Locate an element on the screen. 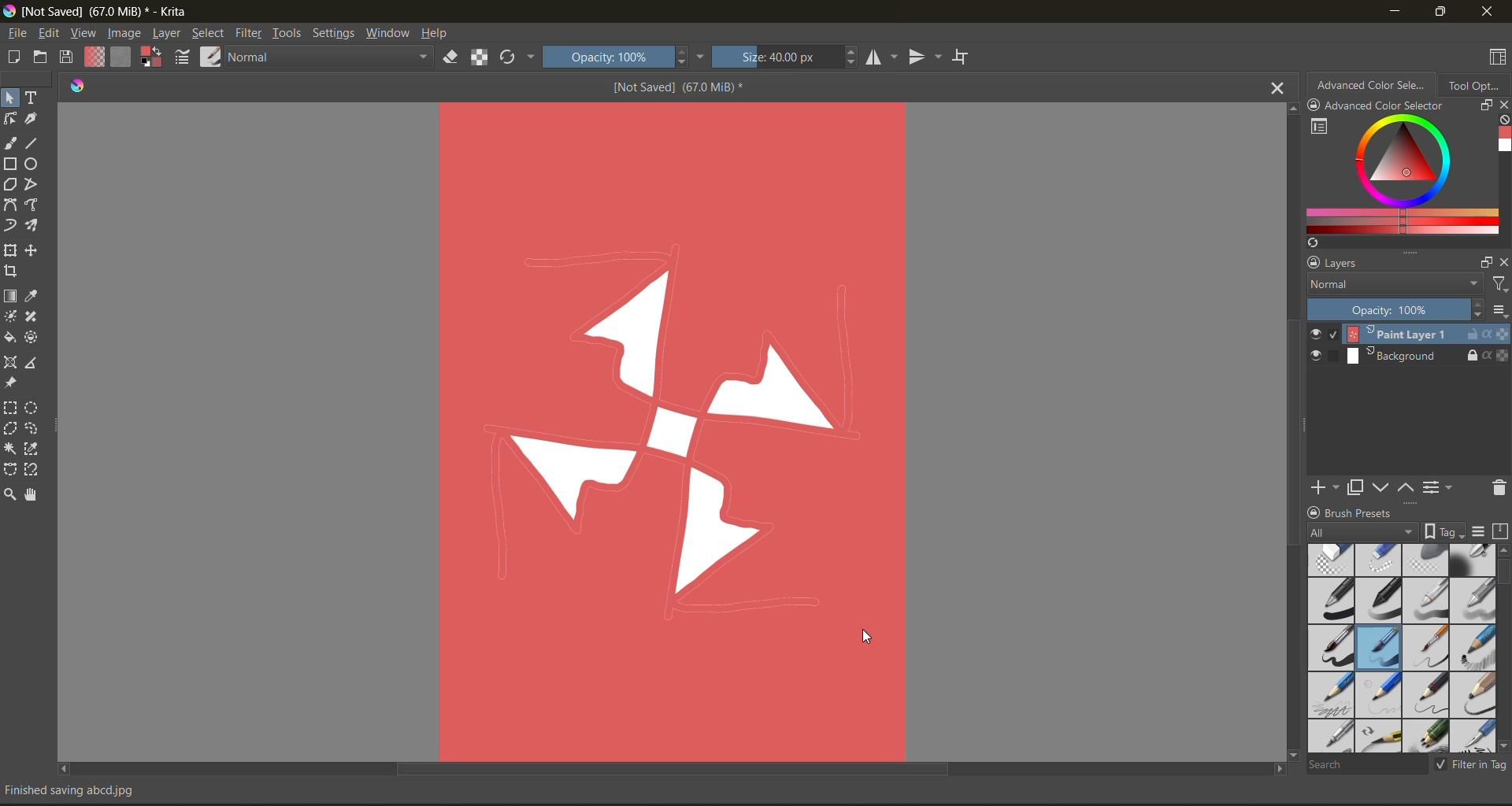  tools is located at coordinates (33, 227).